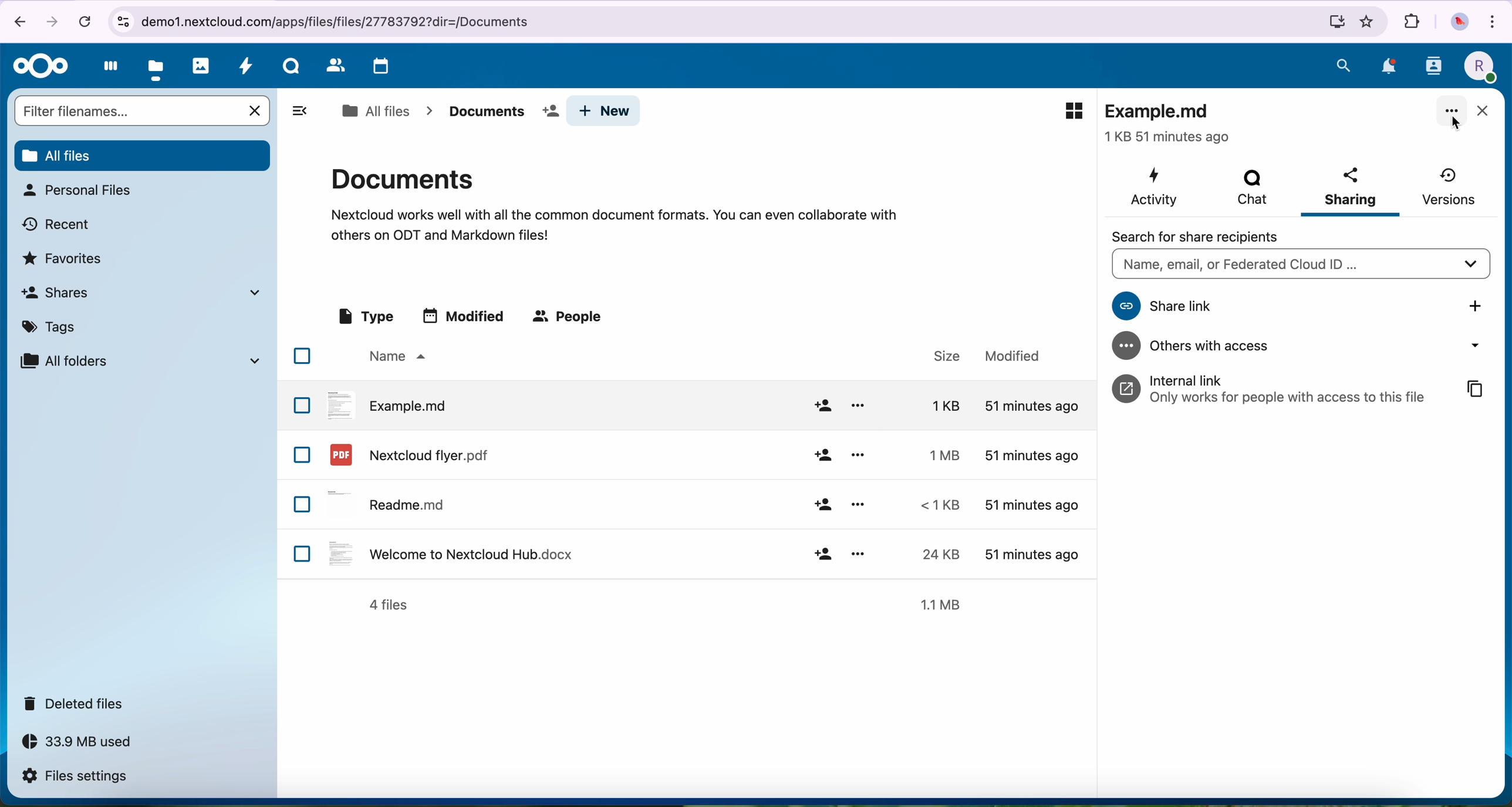  Describe the element at coordinates (1030, 552) in the screenshot. I see `modified` at that location.